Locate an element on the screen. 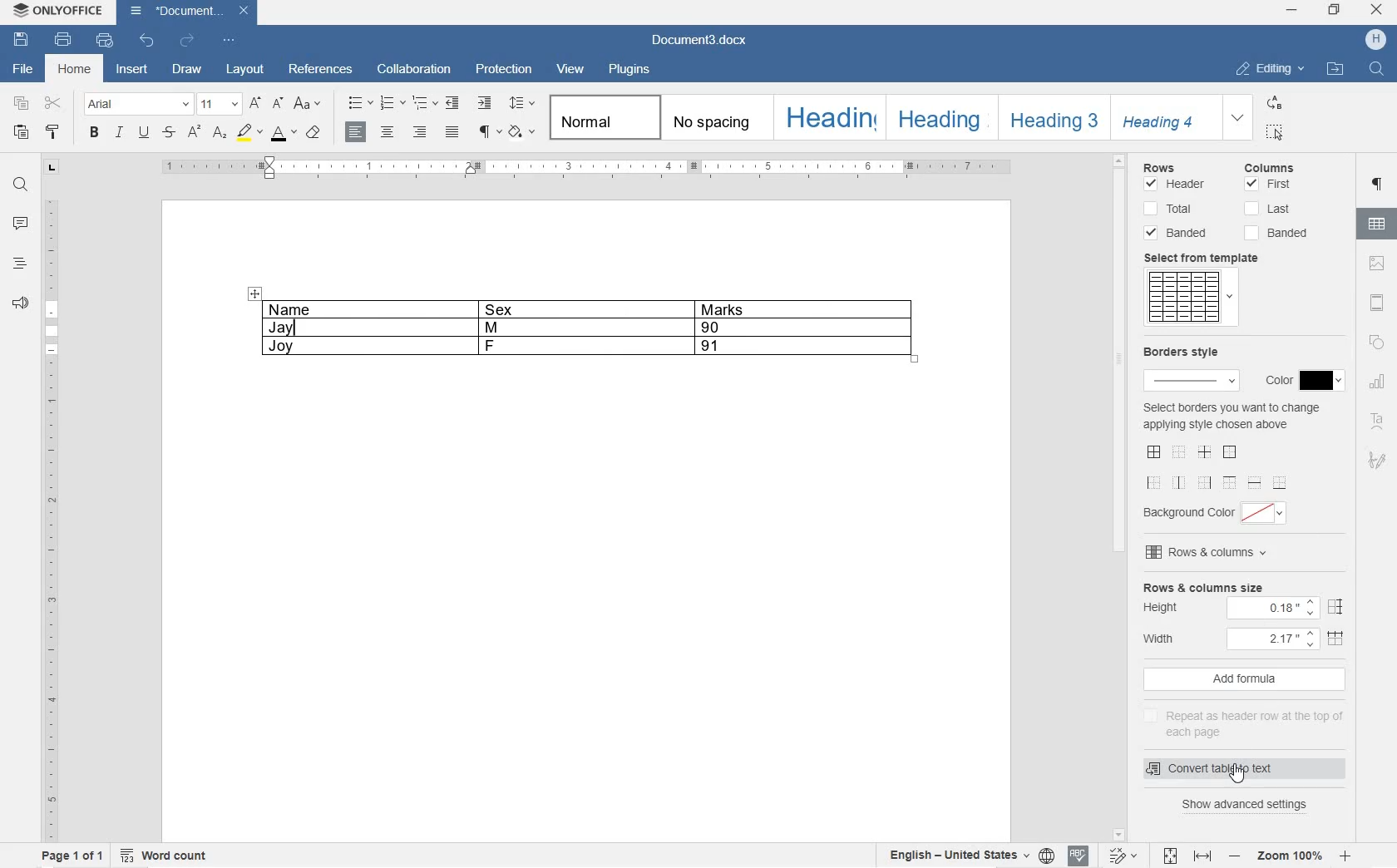  SUPERSCRIPT is located at coordinates (193, 135).